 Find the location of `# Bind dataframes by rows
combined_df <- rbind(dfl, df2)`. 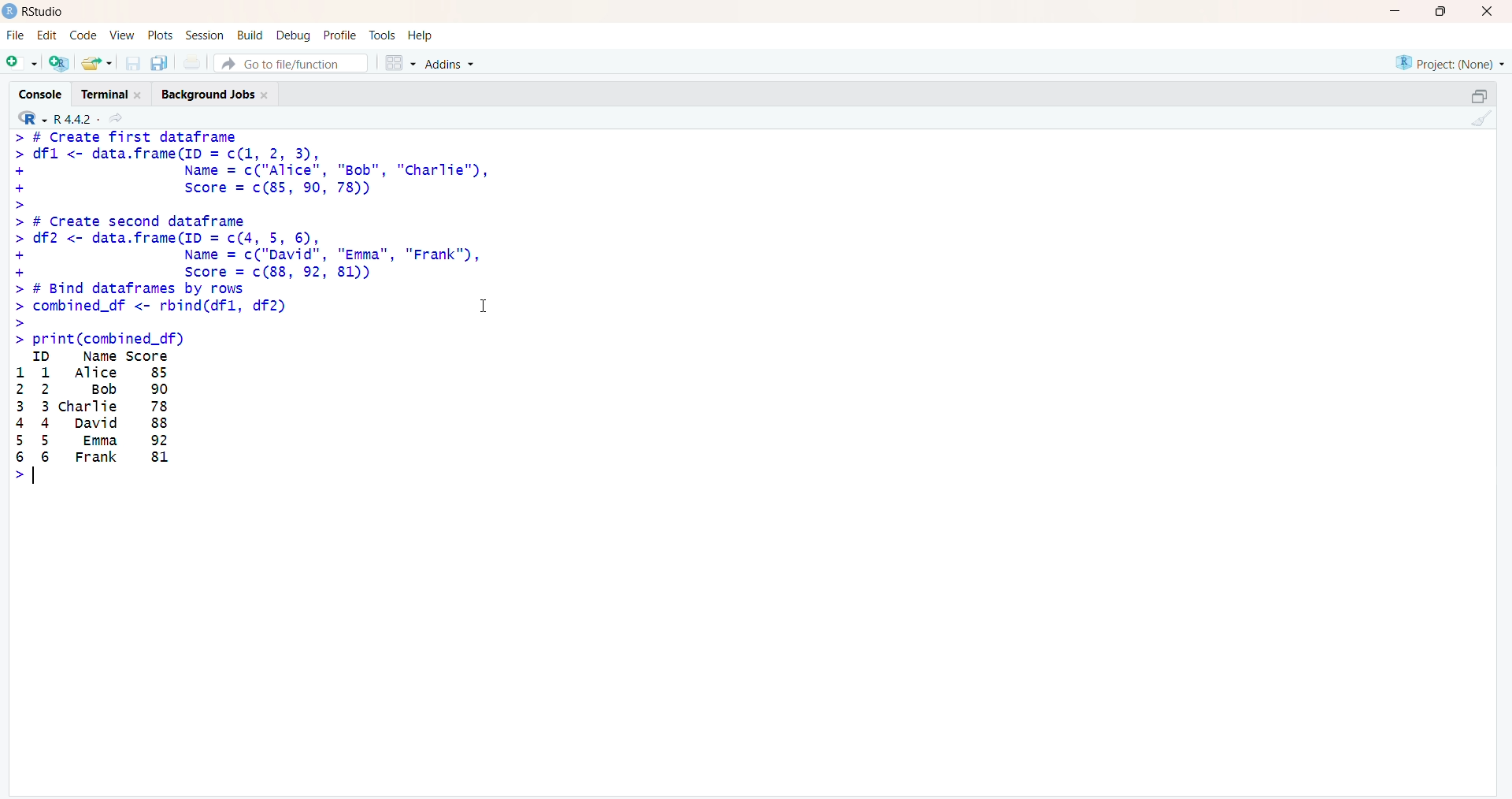

# Bind dataframes by rows
combined_df <- rbind(dfl, df2) is located at coordinates (154, 305).